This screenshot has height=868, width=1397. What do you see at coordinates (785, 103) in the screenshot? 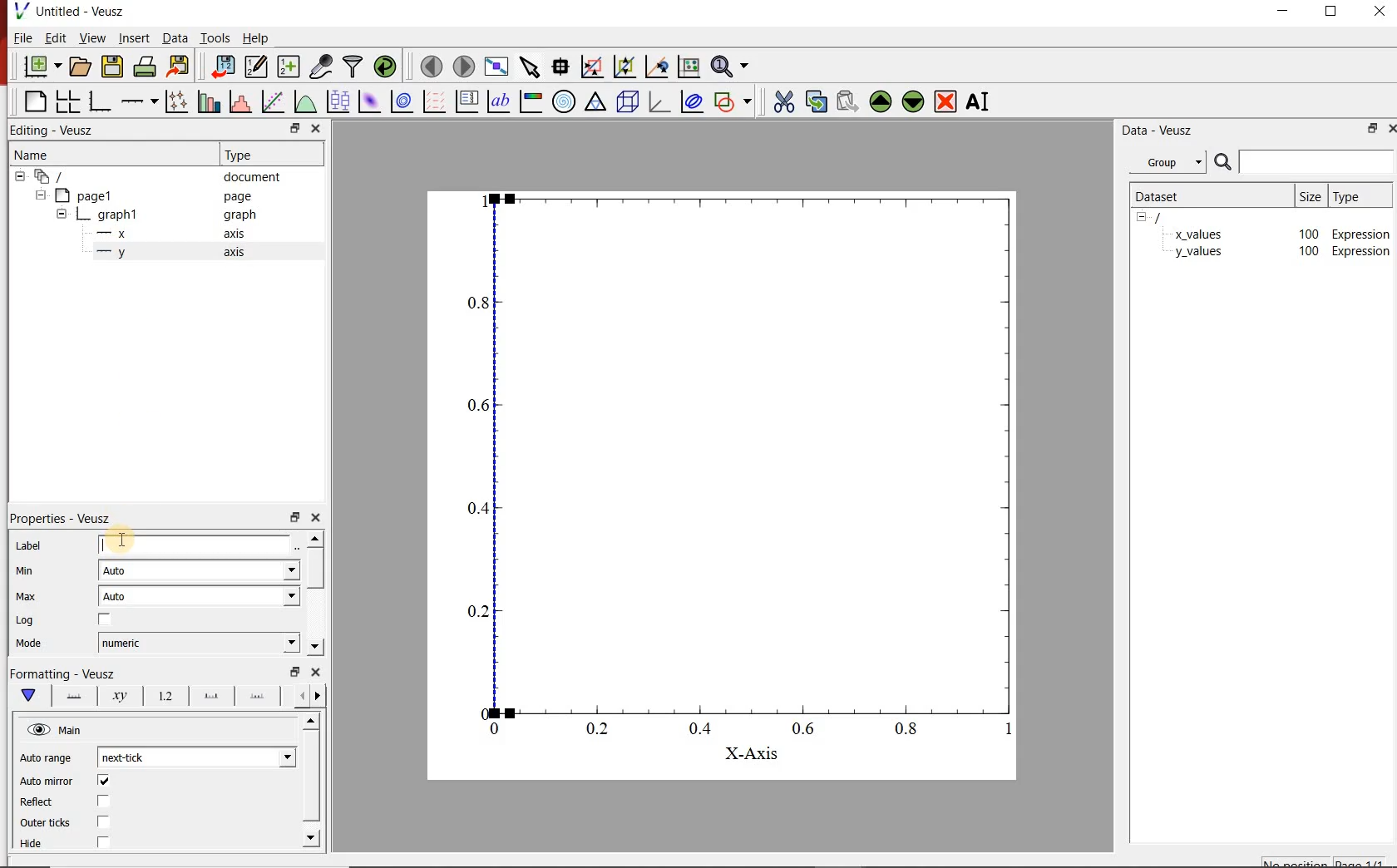
I see `cut the selected widget` at bounding box center [785, 103].